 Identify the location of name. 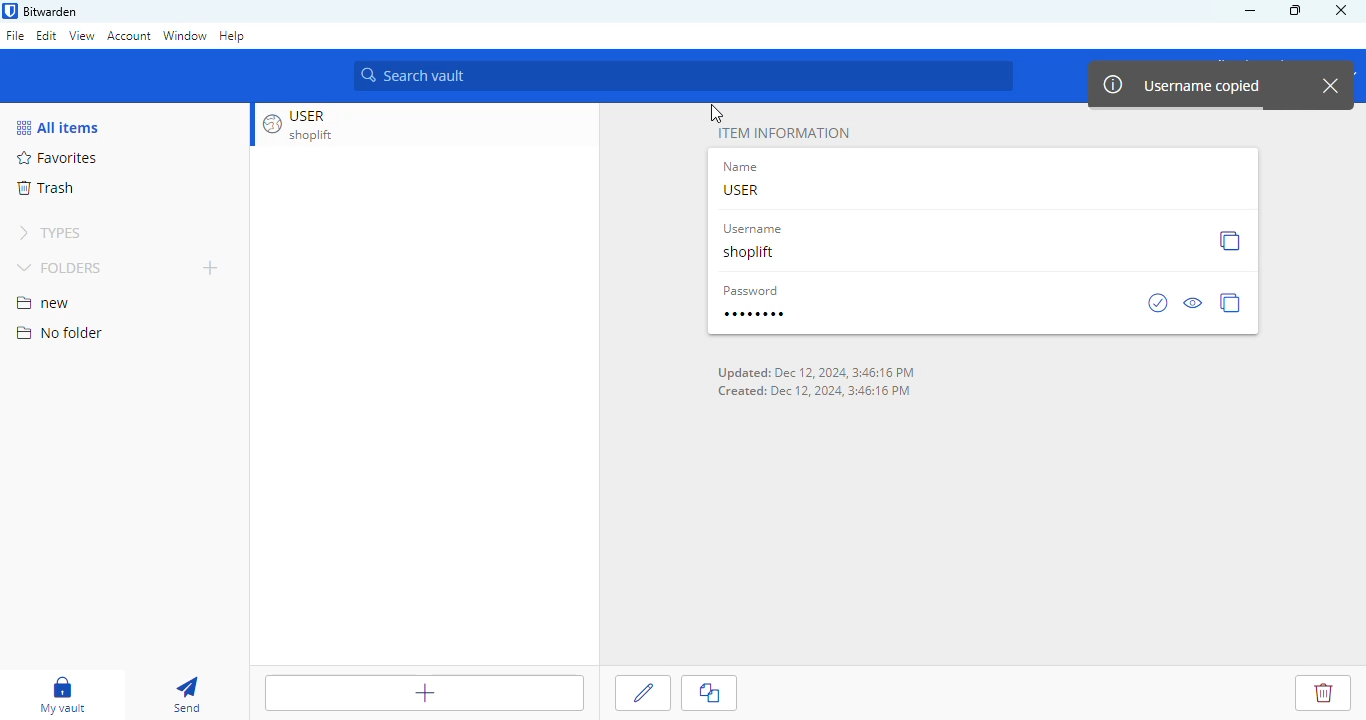
(742, 167).